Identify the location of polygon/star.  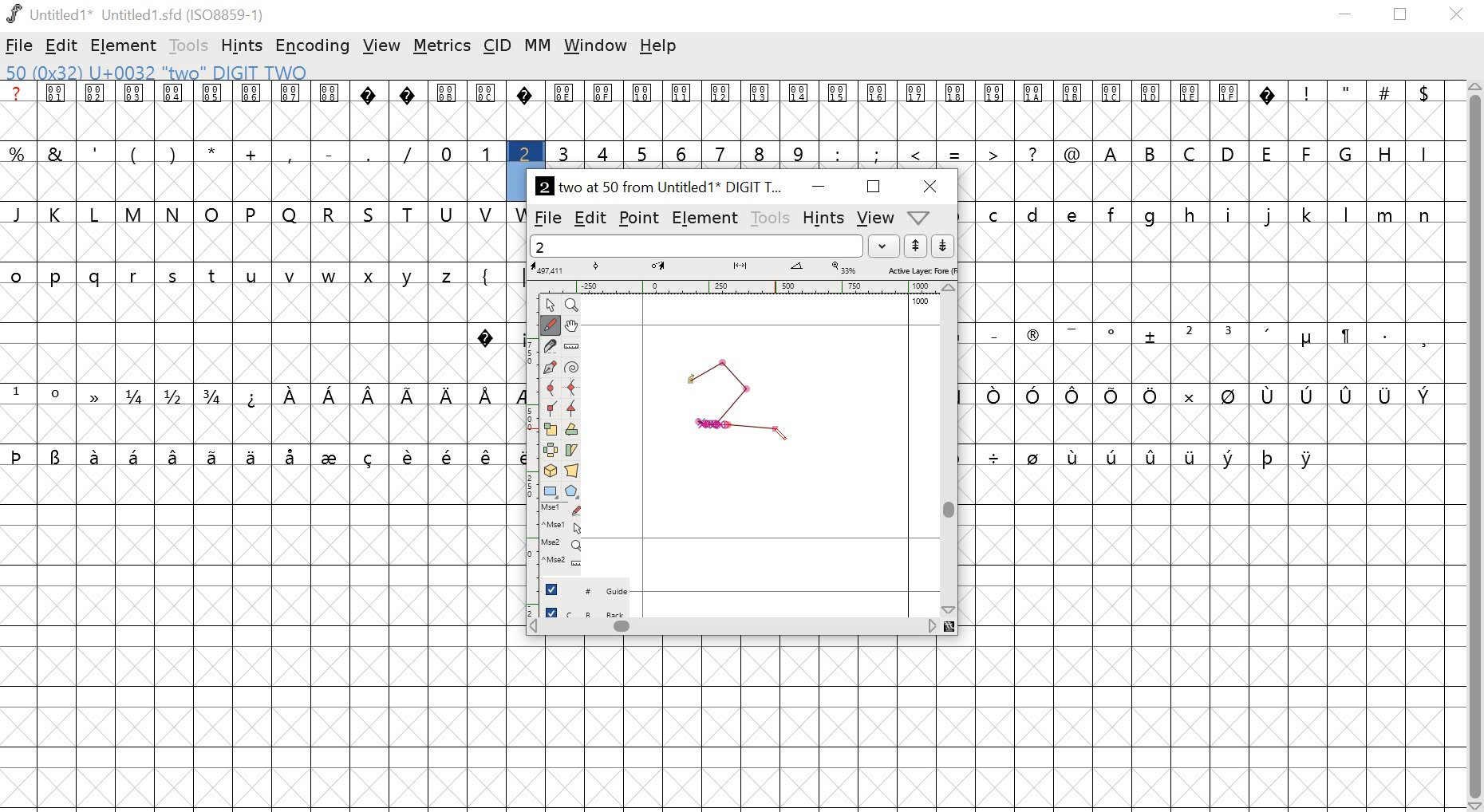
(574, 492).